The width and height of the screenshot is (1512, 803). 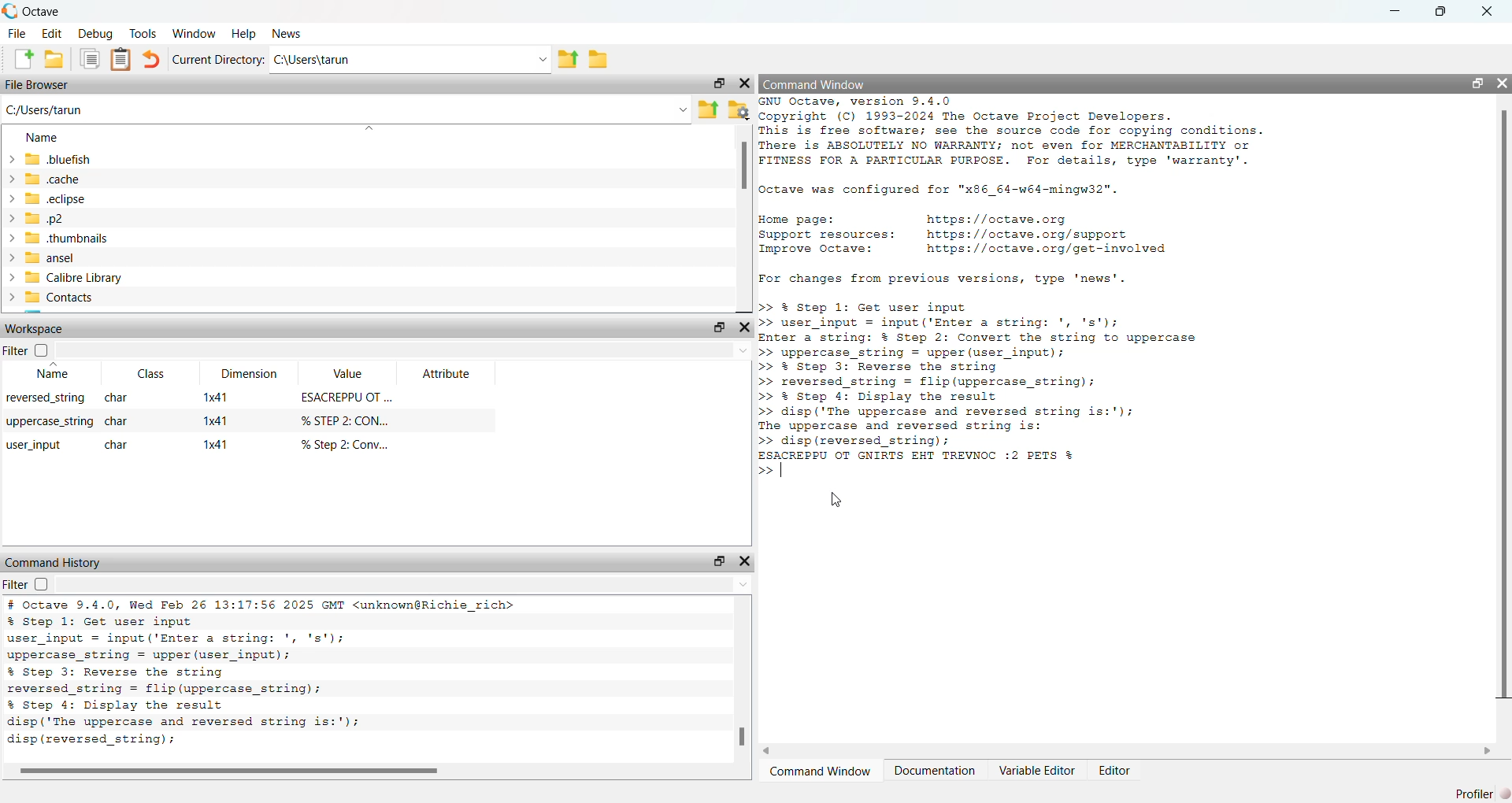 I want to click on news, so click(x=291, y=34).